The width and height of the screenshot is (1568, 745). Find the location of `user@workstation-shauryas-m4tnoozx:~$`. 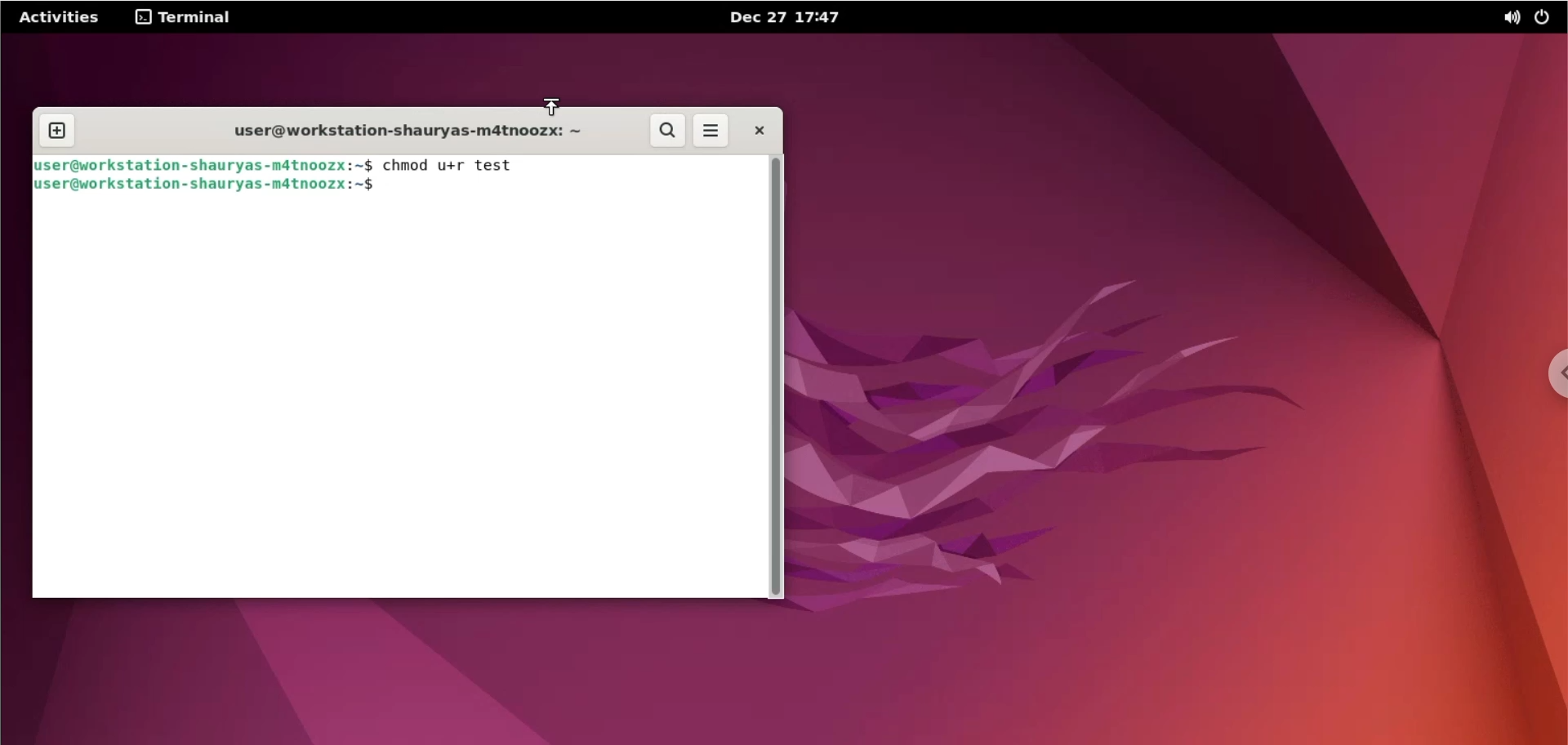

user@workstation-shauryas-m4tnoozx:~$ is located at coordinates (205, 185).